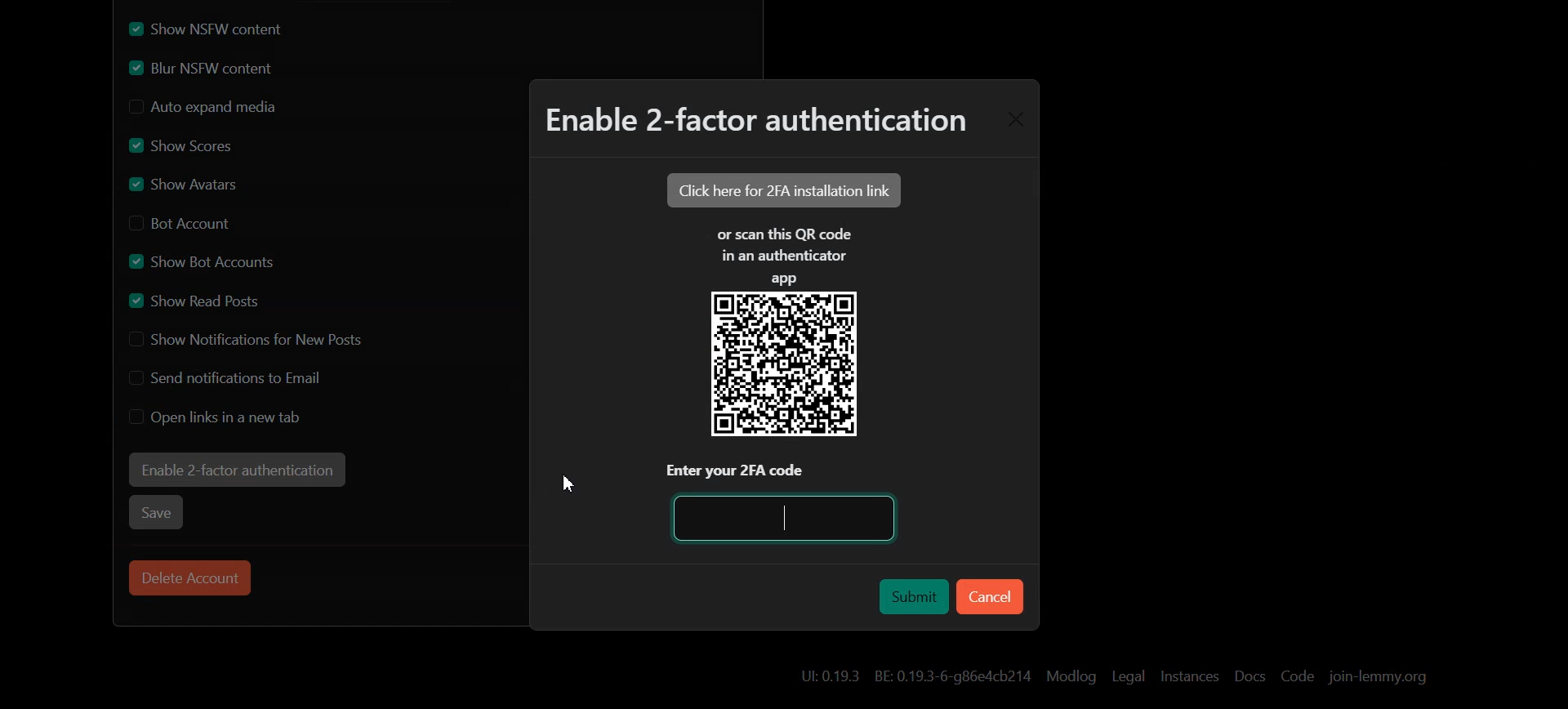 The image size is (1568, 709). I want to click on Enter 2FA code, so click(786, 471).